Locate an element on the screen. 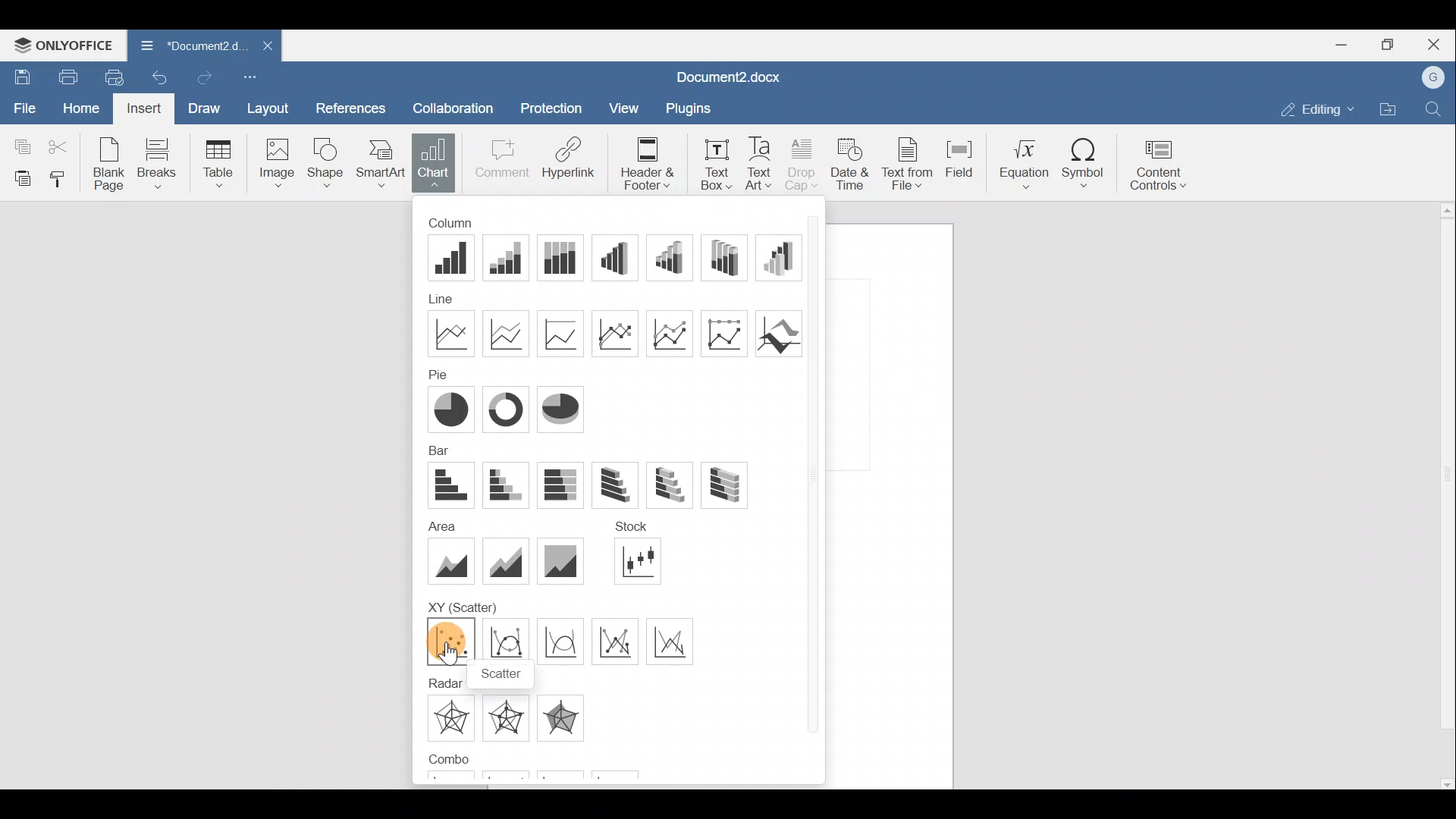 This screenshot has width=1456, height=819. File is located at coordinates (22, 106).